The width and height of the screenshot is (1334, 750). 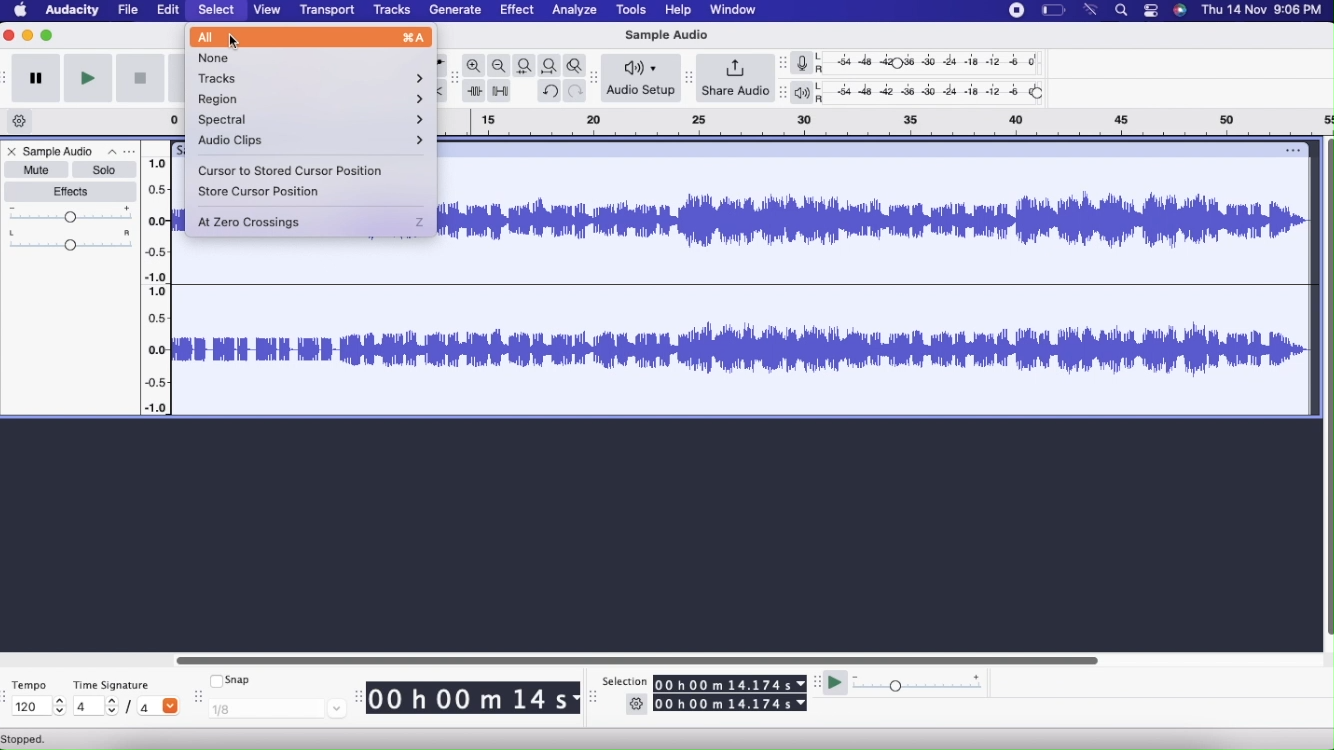 I want to click on 00 h 00 m 14.174 s, so click(x=730, y=684).